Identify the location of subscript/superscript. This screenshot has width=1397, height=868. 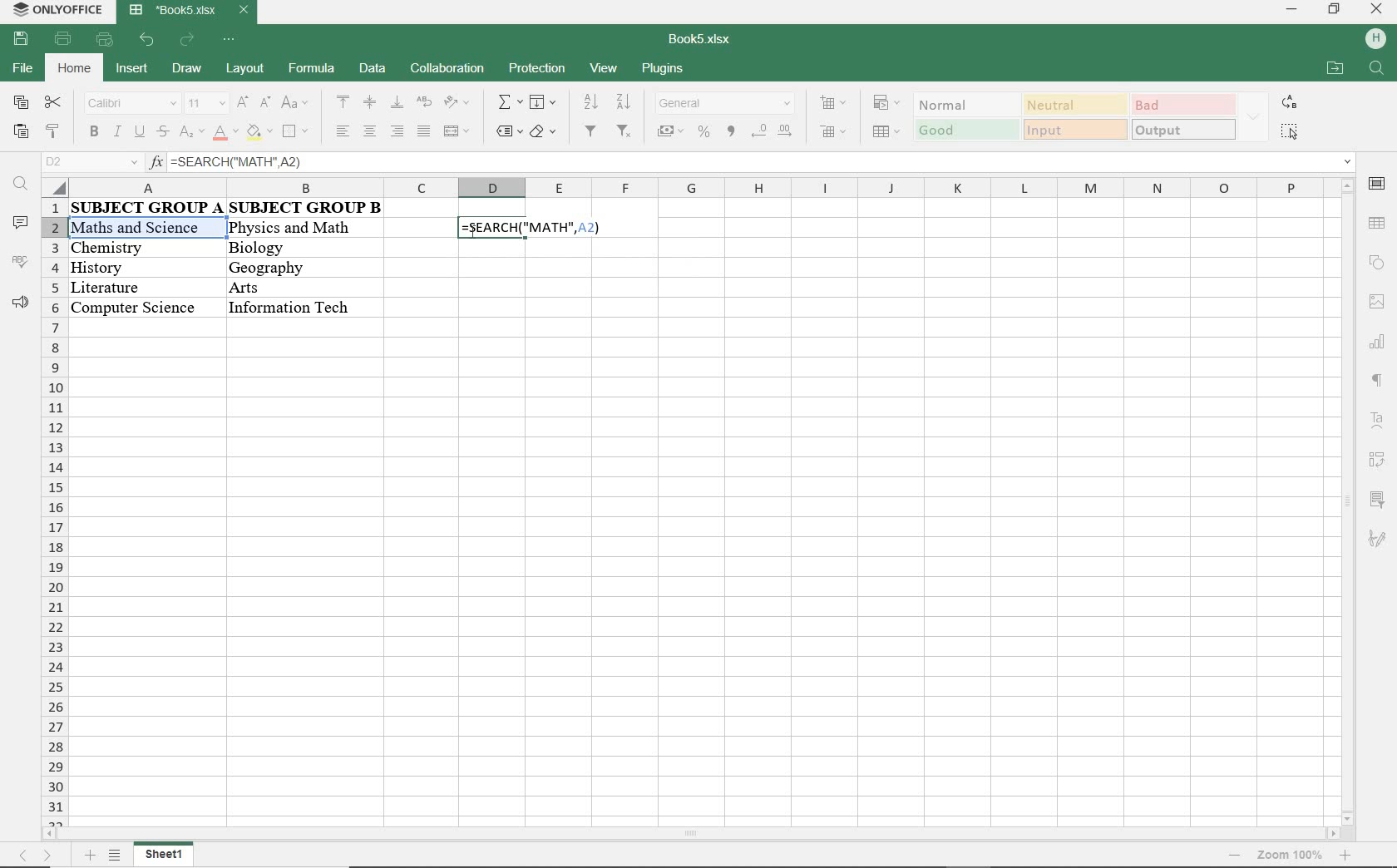
(191, 132).